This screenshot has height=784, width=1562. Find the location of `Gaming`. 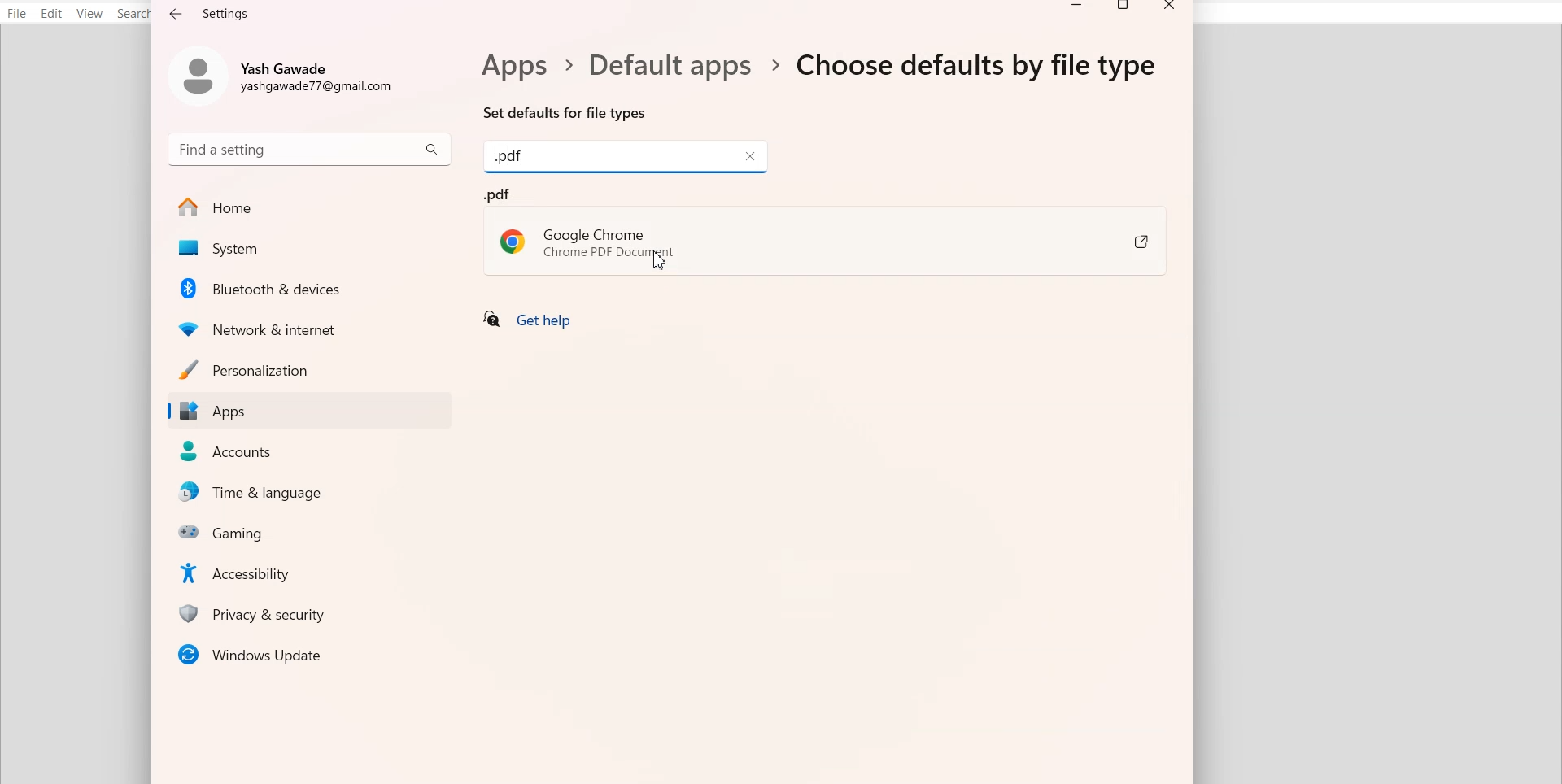

Gaming is located at coordinates (314, 531).